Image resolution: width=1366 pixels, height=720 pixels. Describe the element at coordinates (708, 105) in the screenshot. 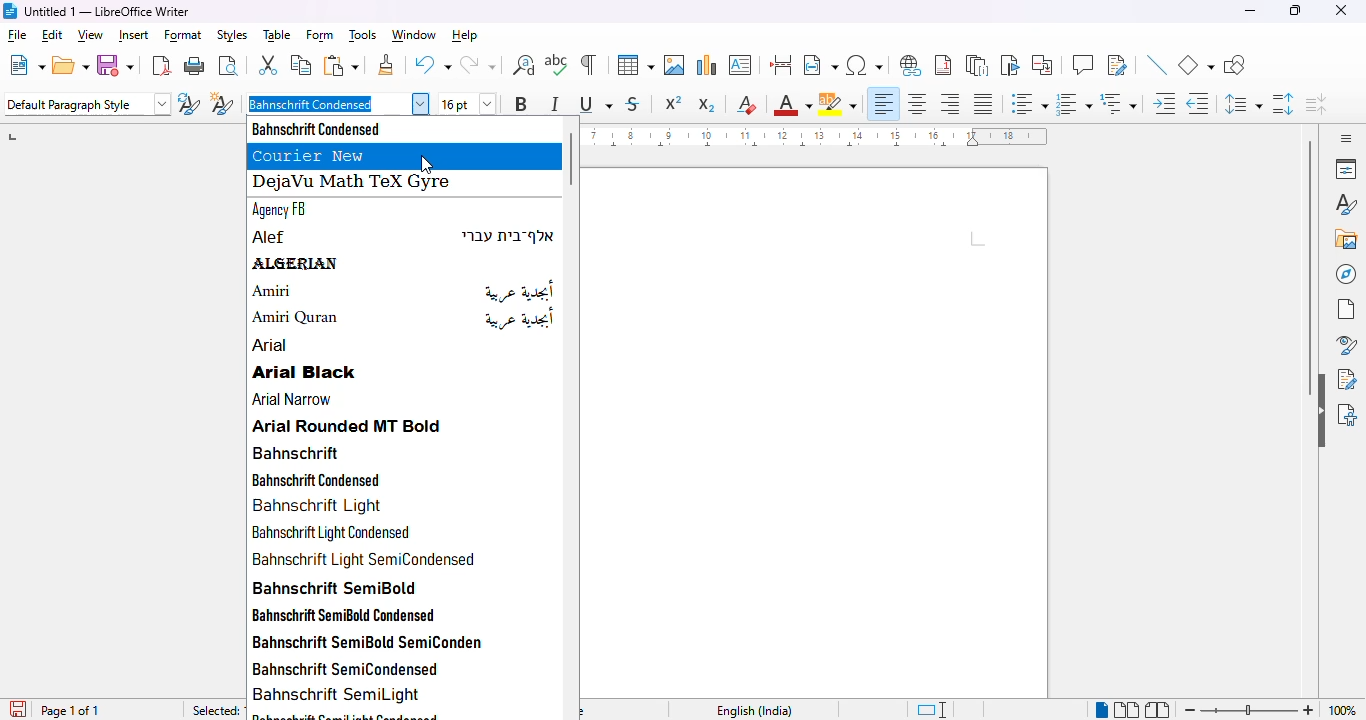

I see `subscript` at that location.